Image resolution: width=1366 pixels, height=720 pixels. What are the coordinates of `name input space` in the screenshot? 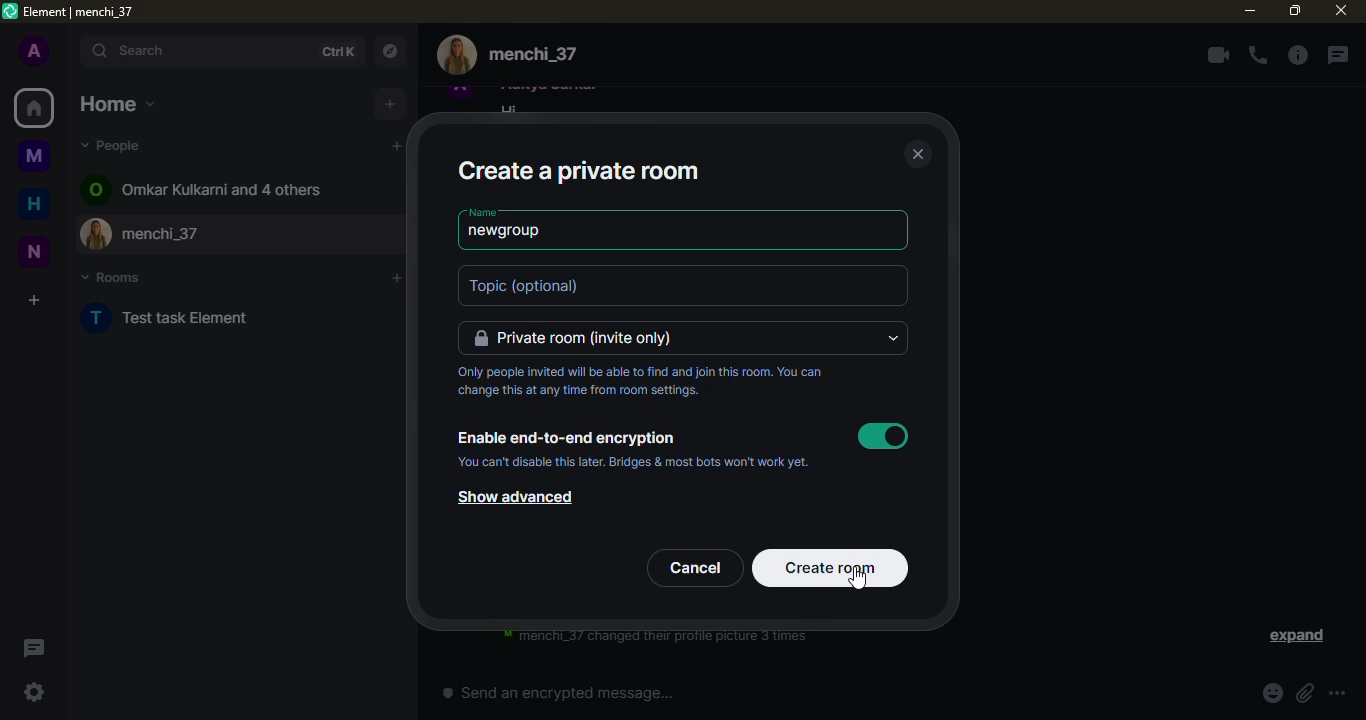 It's located at (725, 234).